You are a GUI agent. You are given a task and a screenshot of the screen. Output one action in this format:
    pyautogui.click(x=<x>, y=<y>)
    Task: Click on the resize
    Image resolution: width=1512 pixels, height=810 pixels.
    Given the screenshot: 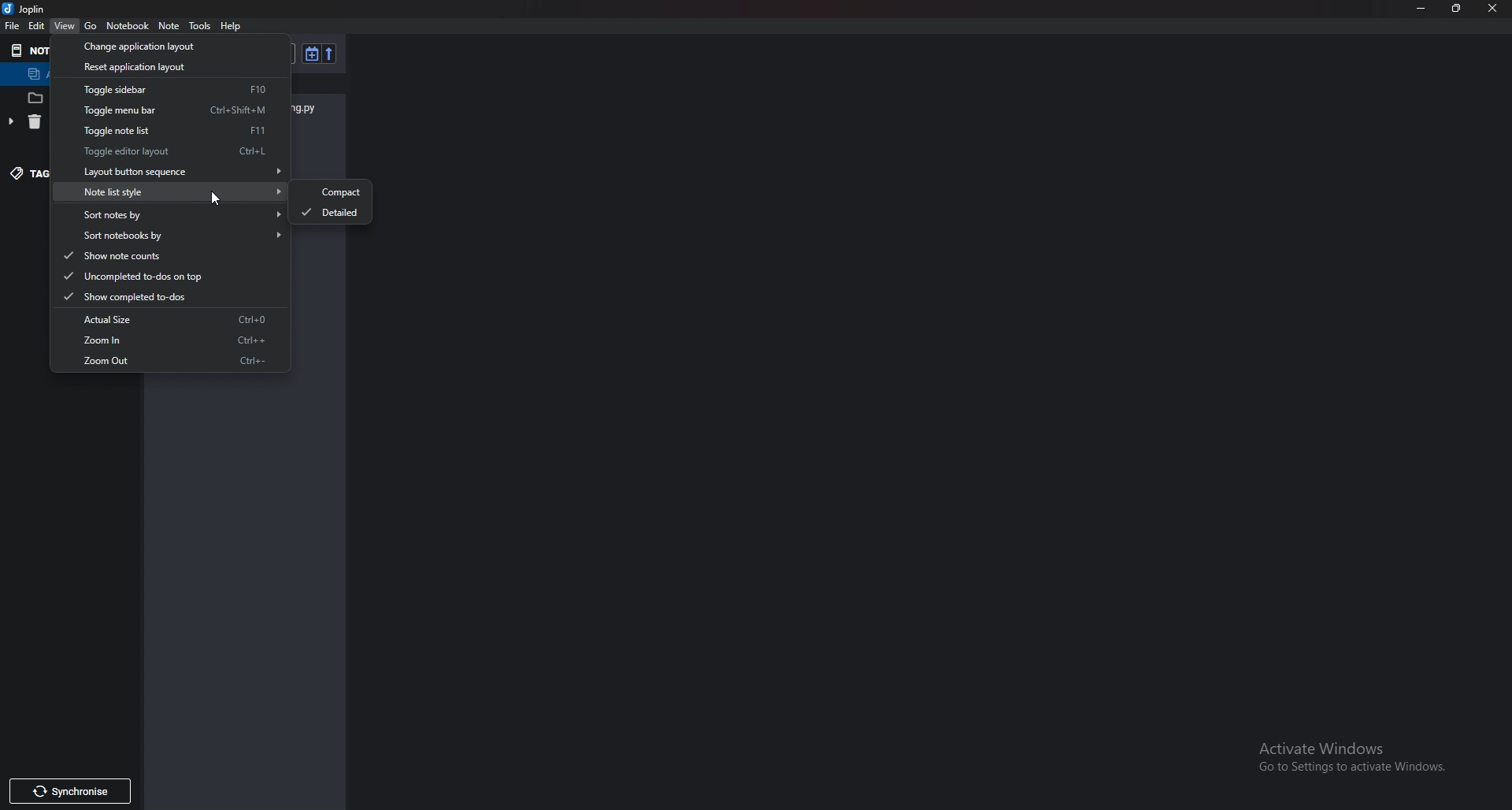 What is the action you would take?
    pyautogui.click(x=1458, y=9)
    